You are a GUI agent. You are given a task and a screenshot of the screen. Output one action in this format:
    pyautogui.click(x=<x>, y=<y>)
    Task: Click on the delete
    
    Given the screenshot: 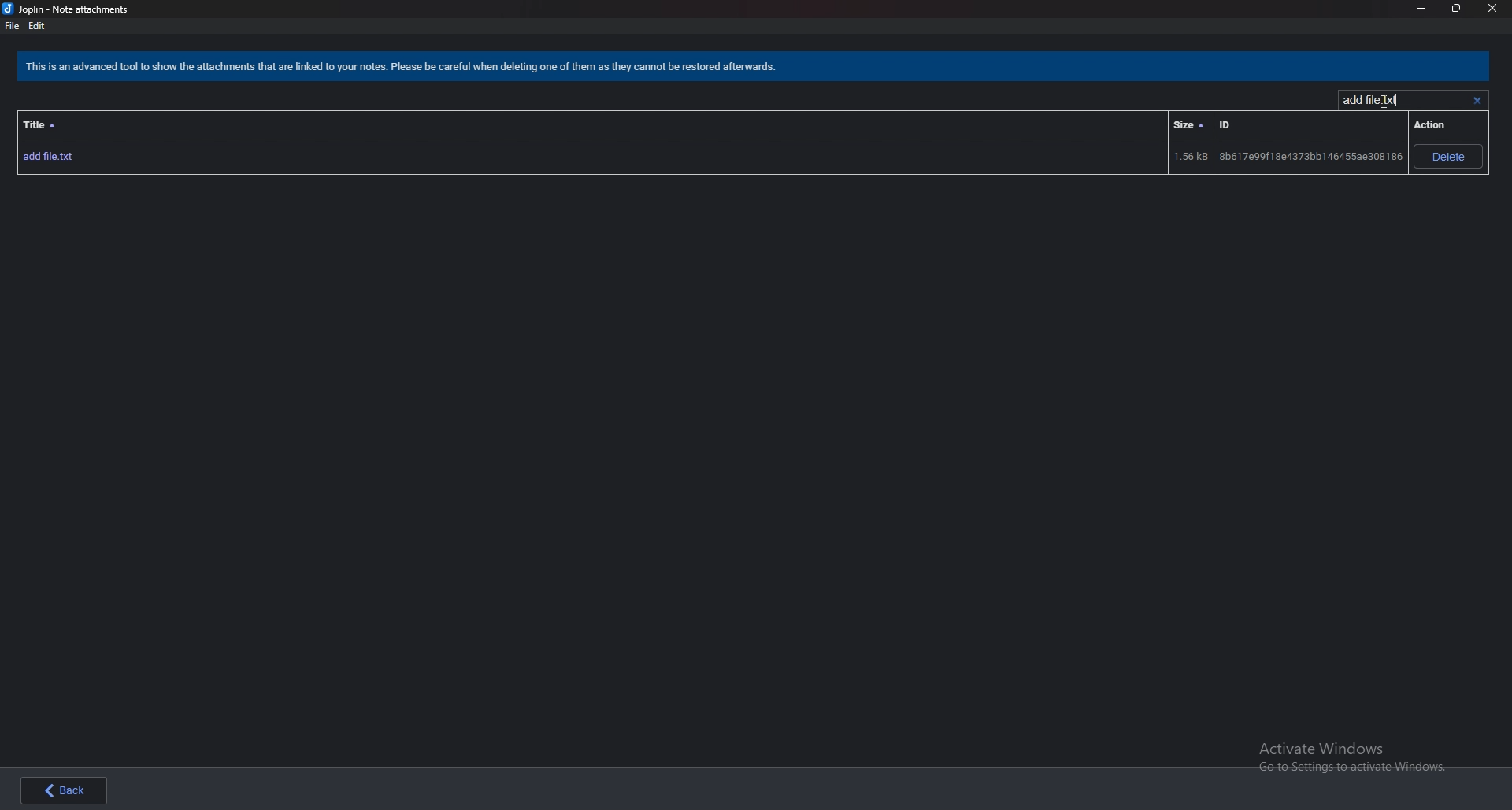 What is the action you would take?
    pyautogui.click(x=1451, y=157)
    